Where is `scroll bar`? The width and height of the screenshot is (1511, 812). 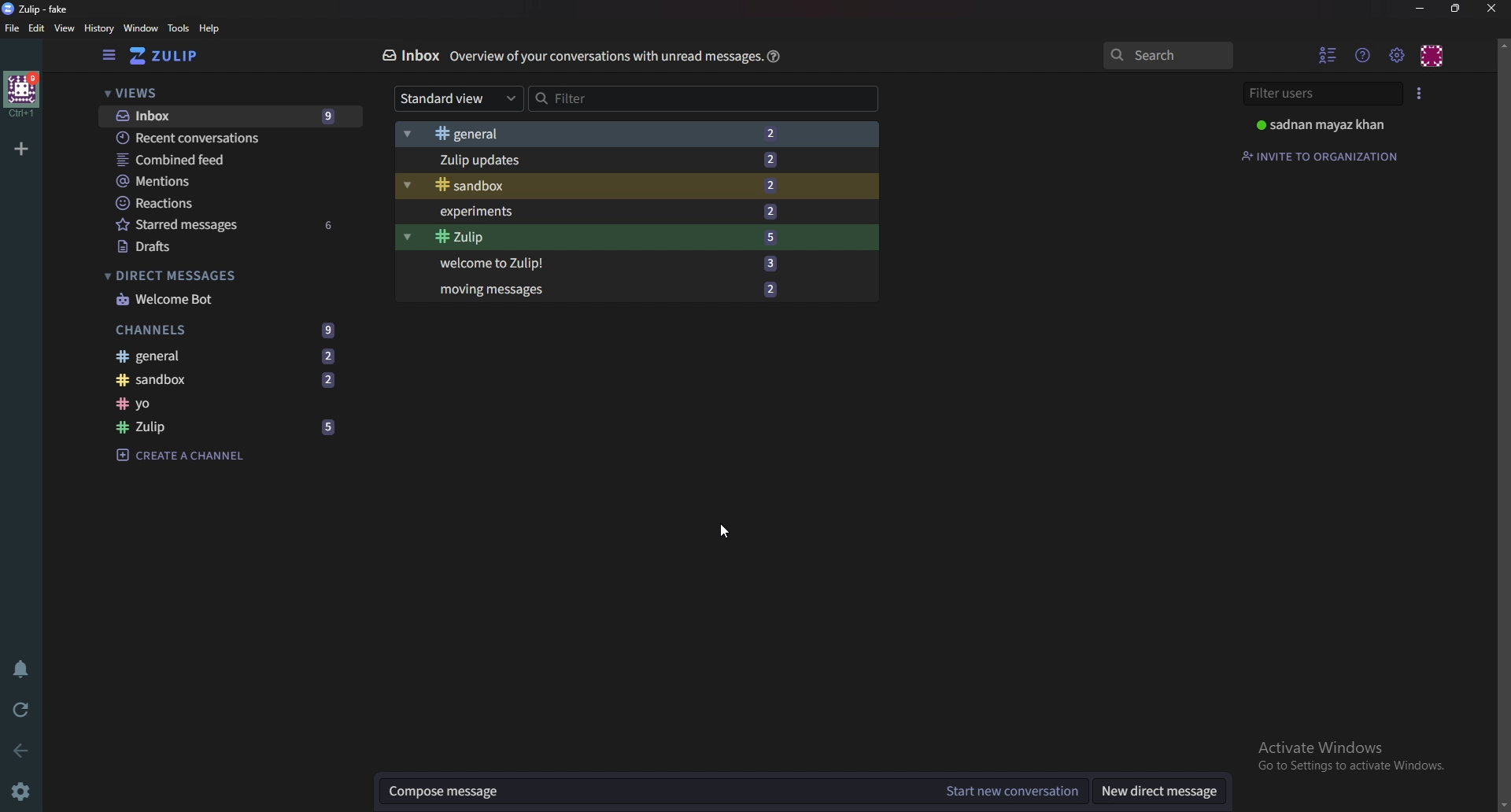 scroll bar is located at coordinates (1504, 423).